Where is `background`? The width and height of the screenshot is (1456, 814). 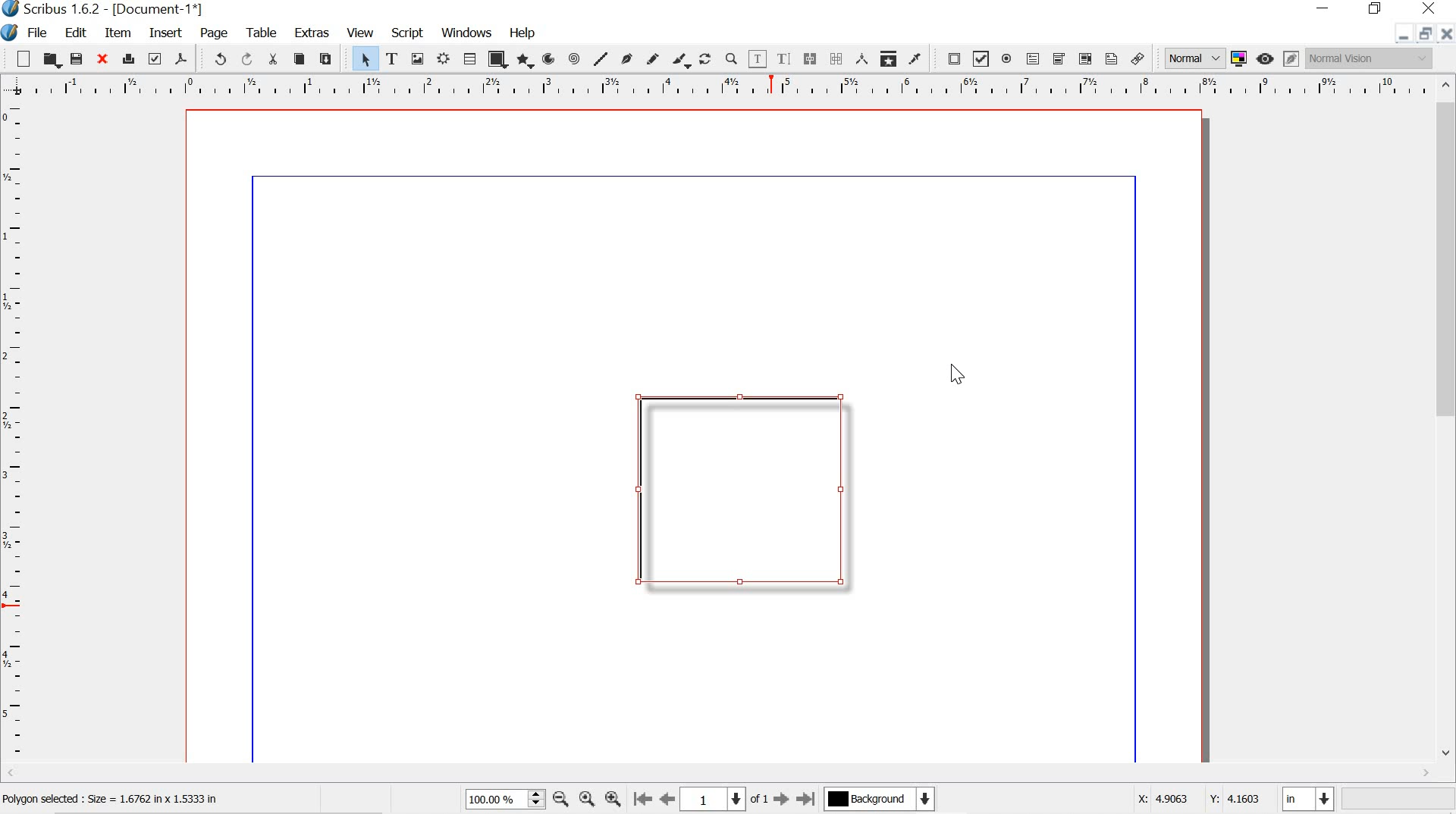
background is located at coordinates (887, 800).